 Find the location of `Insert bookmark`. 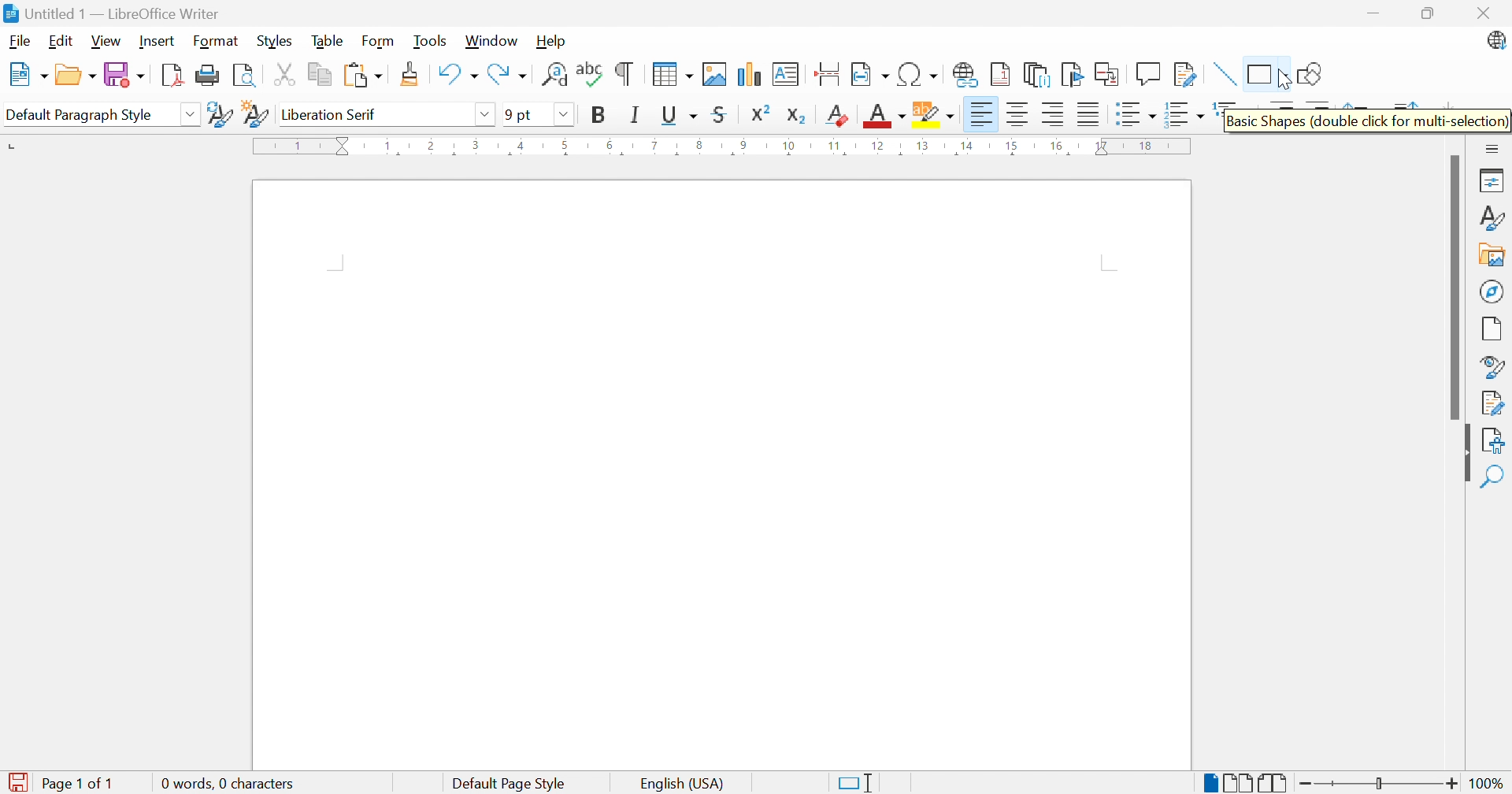

Insert bookmark is located at coordinates (1073, 74).